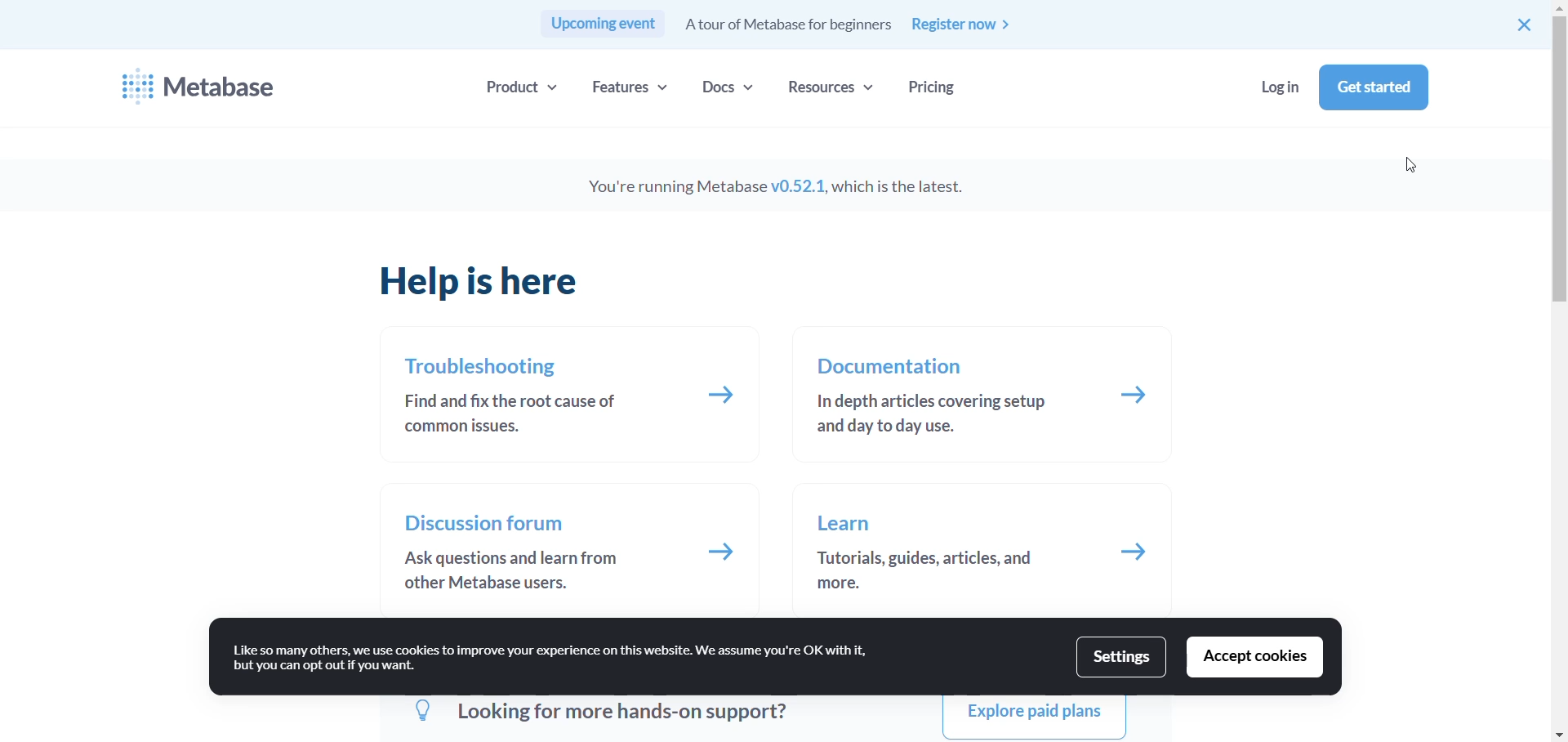  Describe the element at coordinates (893, 366) in the screenshot. I see `documentation` at that location.